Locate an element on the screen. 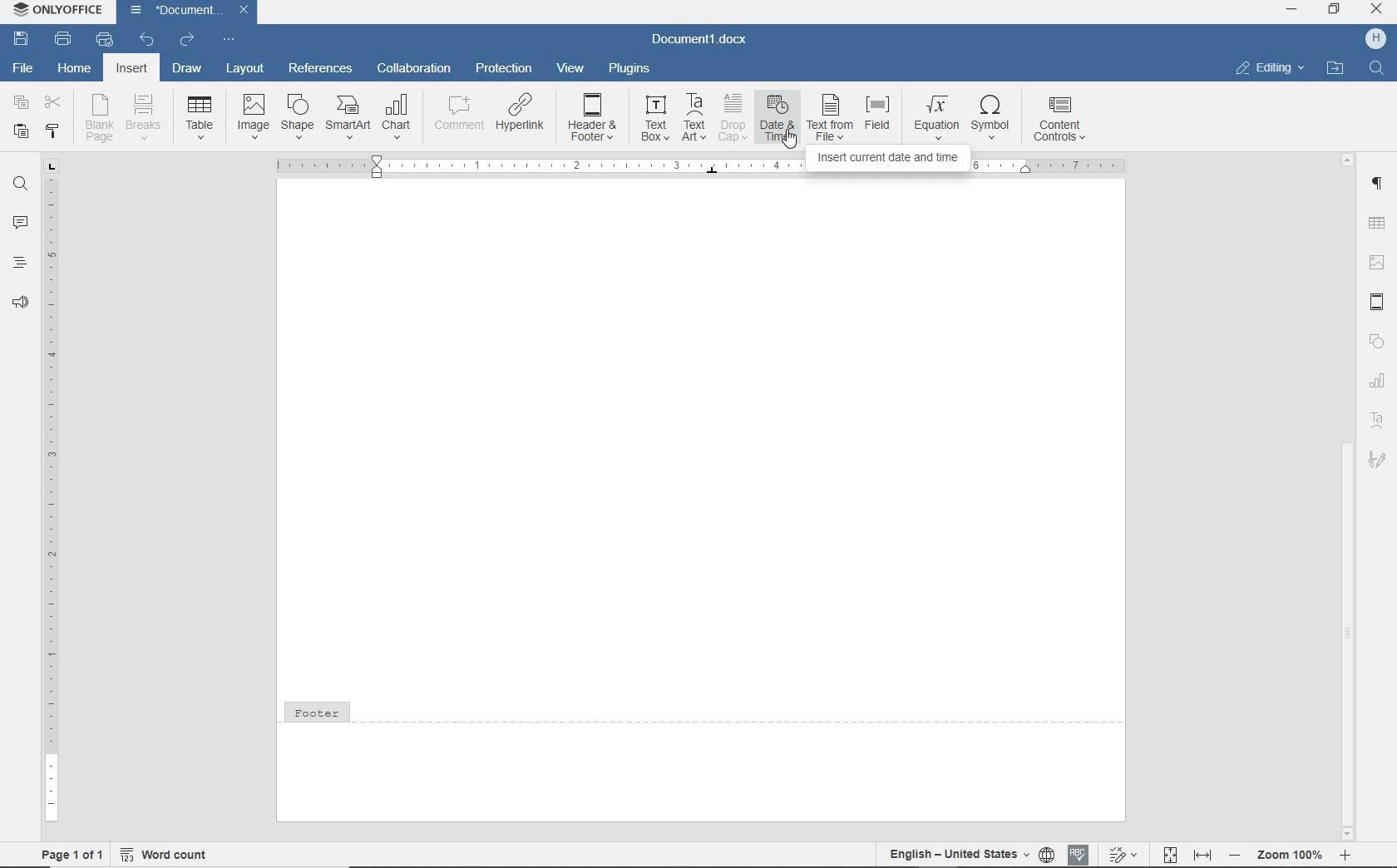 The image size is (1397, 868). restore down is located at coordinates (1335, 11).